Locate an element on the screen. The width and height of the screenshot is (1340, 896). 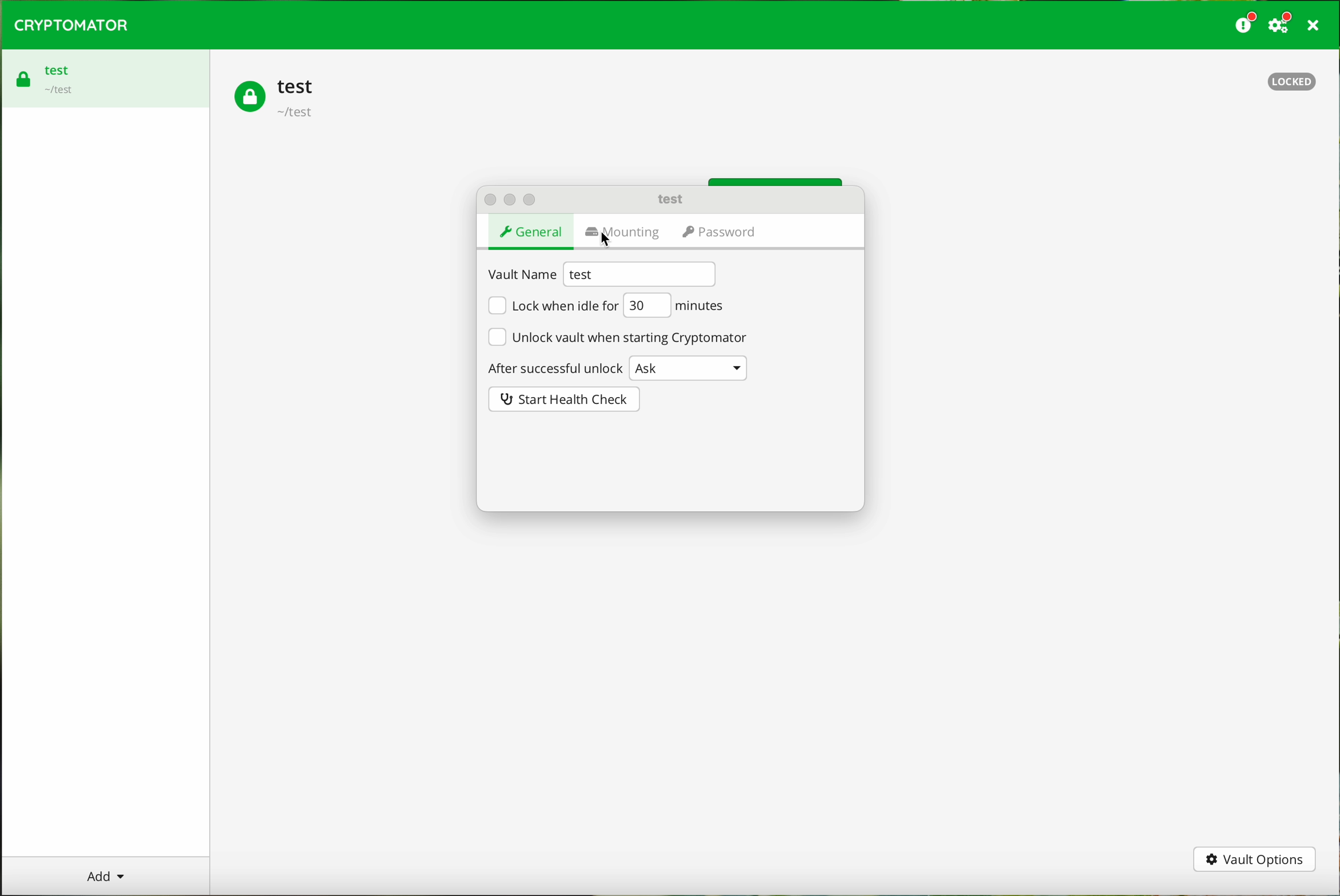
minutes is located at coordinates (700, 307).